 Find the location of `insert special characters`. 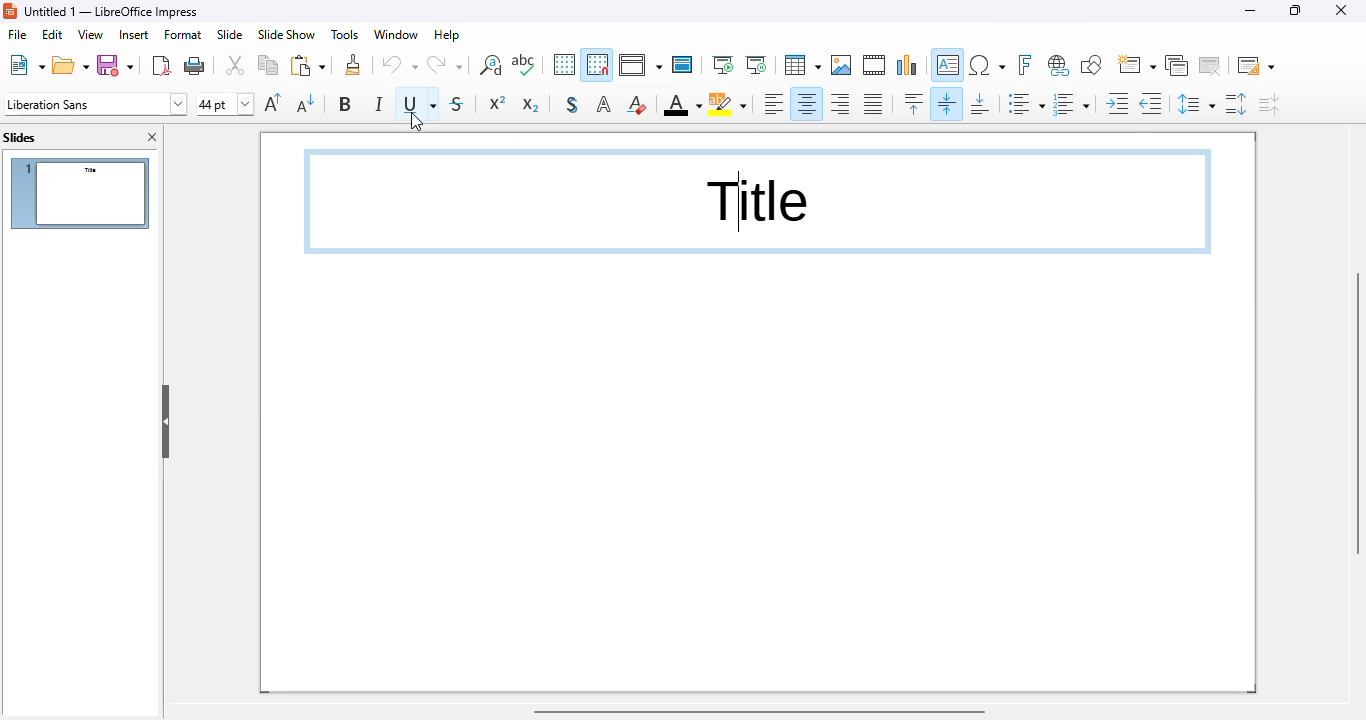

insert special characters is located at coordinates (987, 65).